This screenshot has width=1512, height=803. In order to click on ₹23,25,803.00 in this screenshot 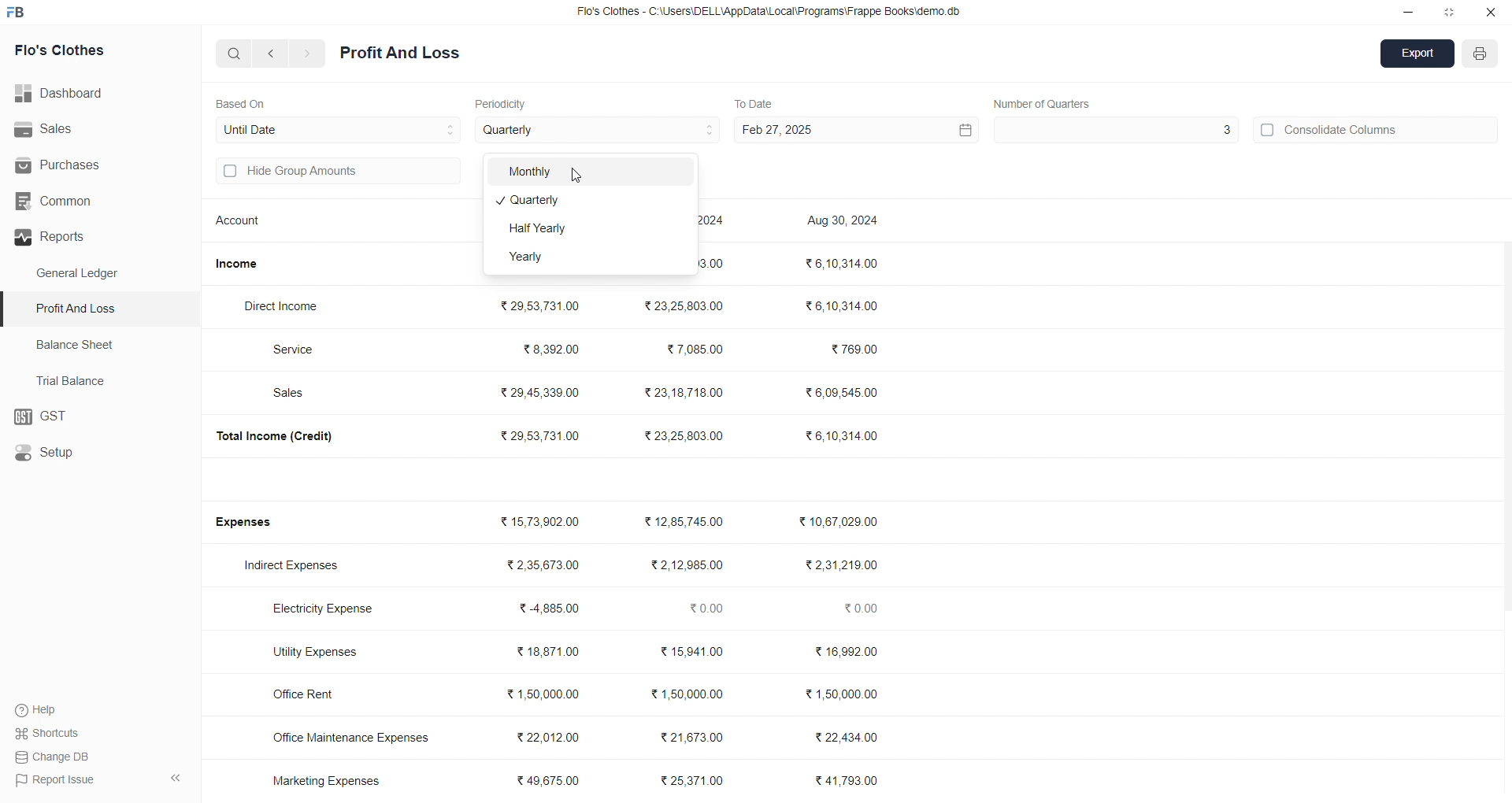, I will do `click(687, 435)`.